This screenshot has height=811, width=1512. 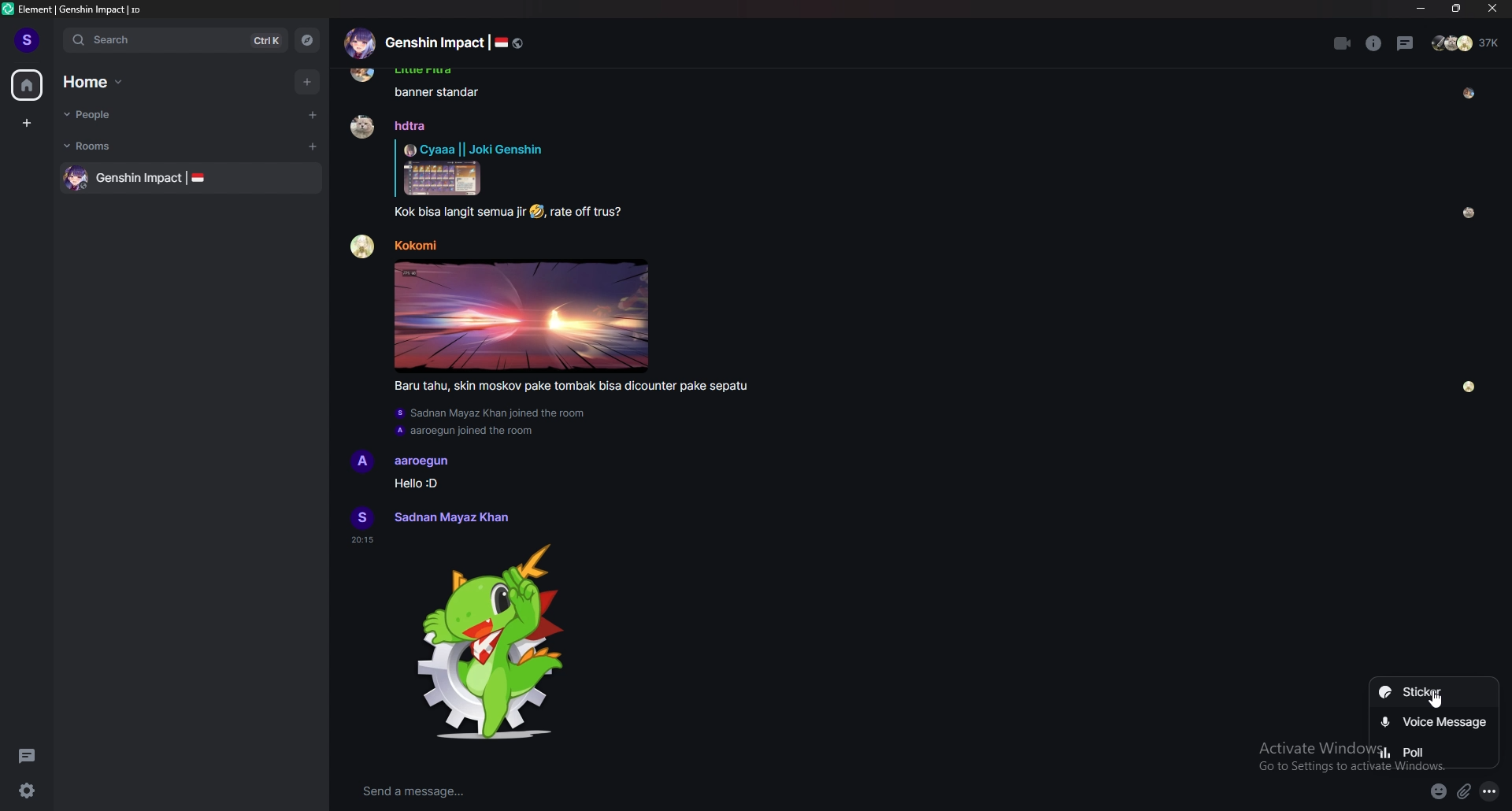 What do you see at coordinates (1467, 43) in the screenshot?
I see `people` at bounding box center [1467, 43].